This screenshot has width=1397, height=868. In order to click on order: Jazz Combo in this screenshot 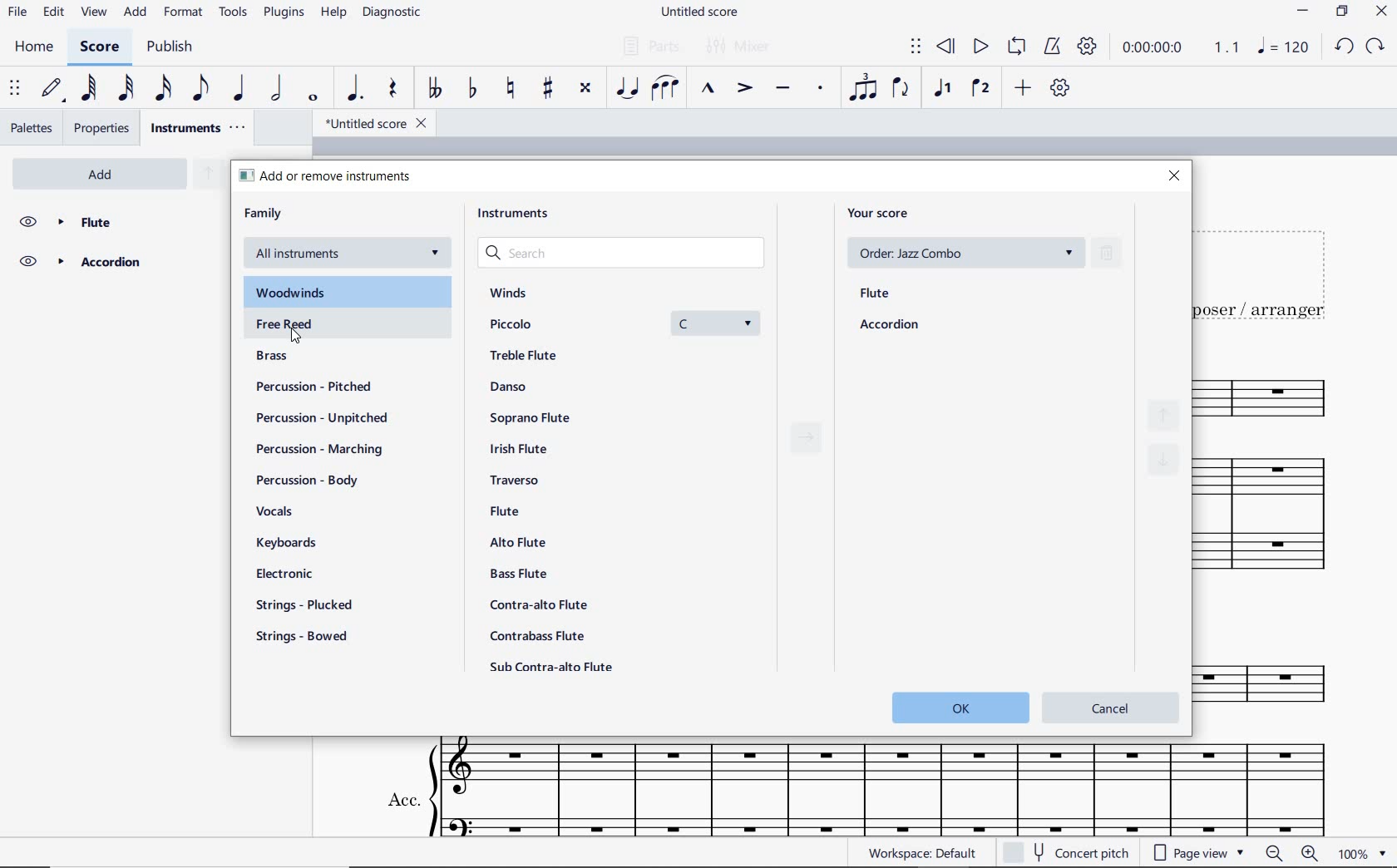, I will do `click(964, 252)`.